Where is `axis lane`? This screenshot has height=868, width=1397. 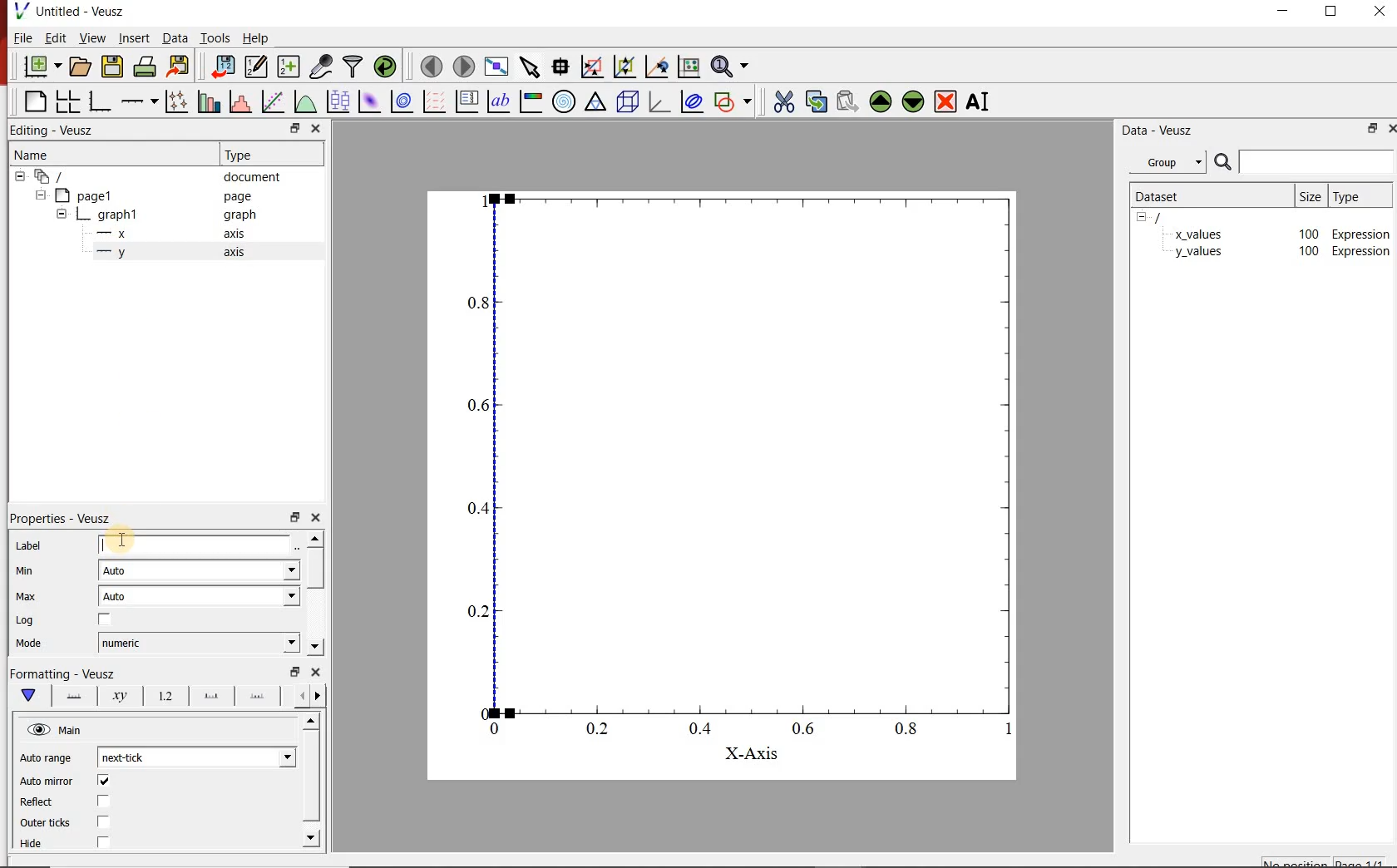 axis lane is located at coordinates (75, 698).